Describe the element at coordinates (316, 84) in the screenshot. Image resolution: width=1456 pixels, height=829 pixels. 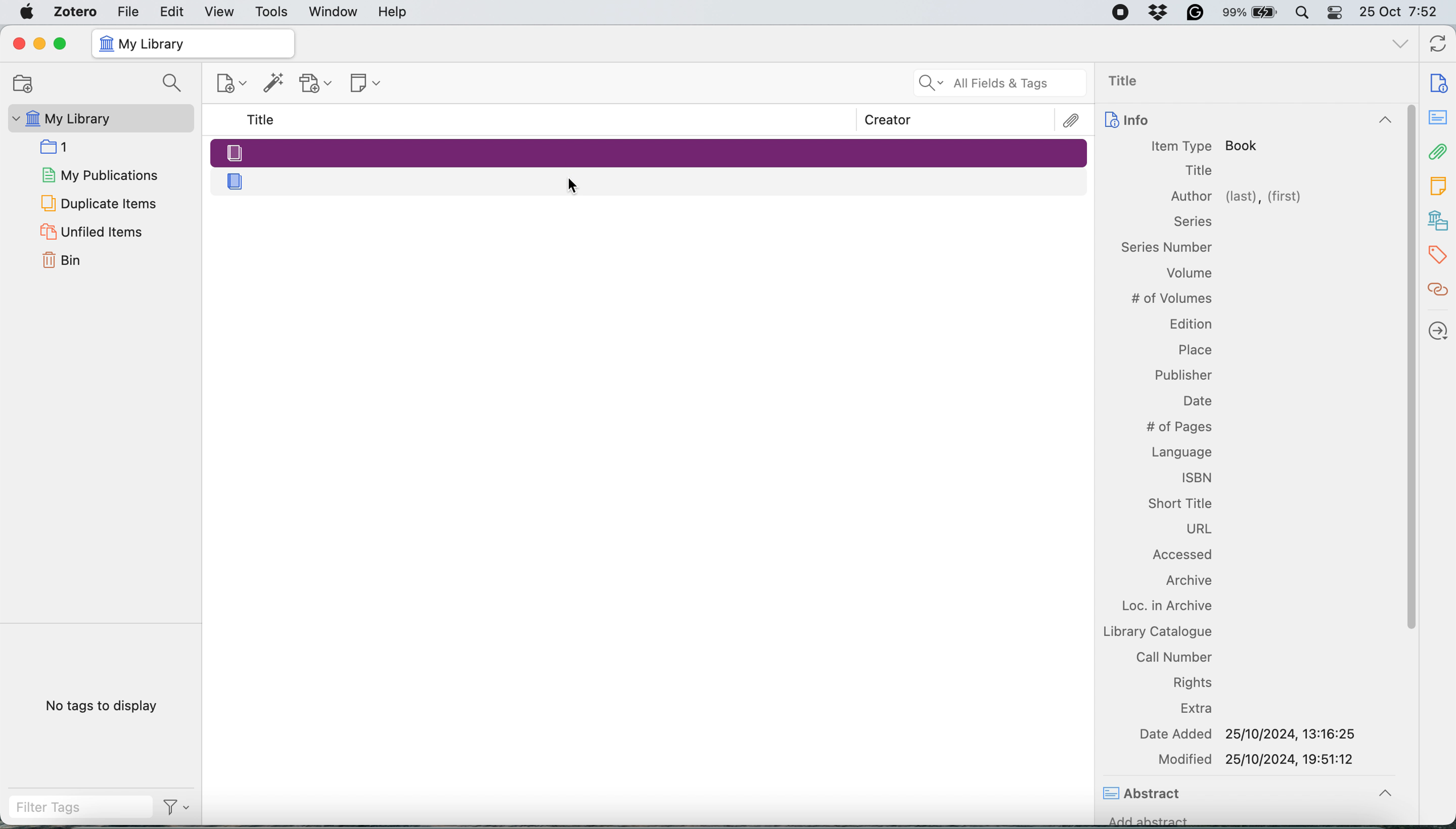
I see `Add Attachment` at that location.